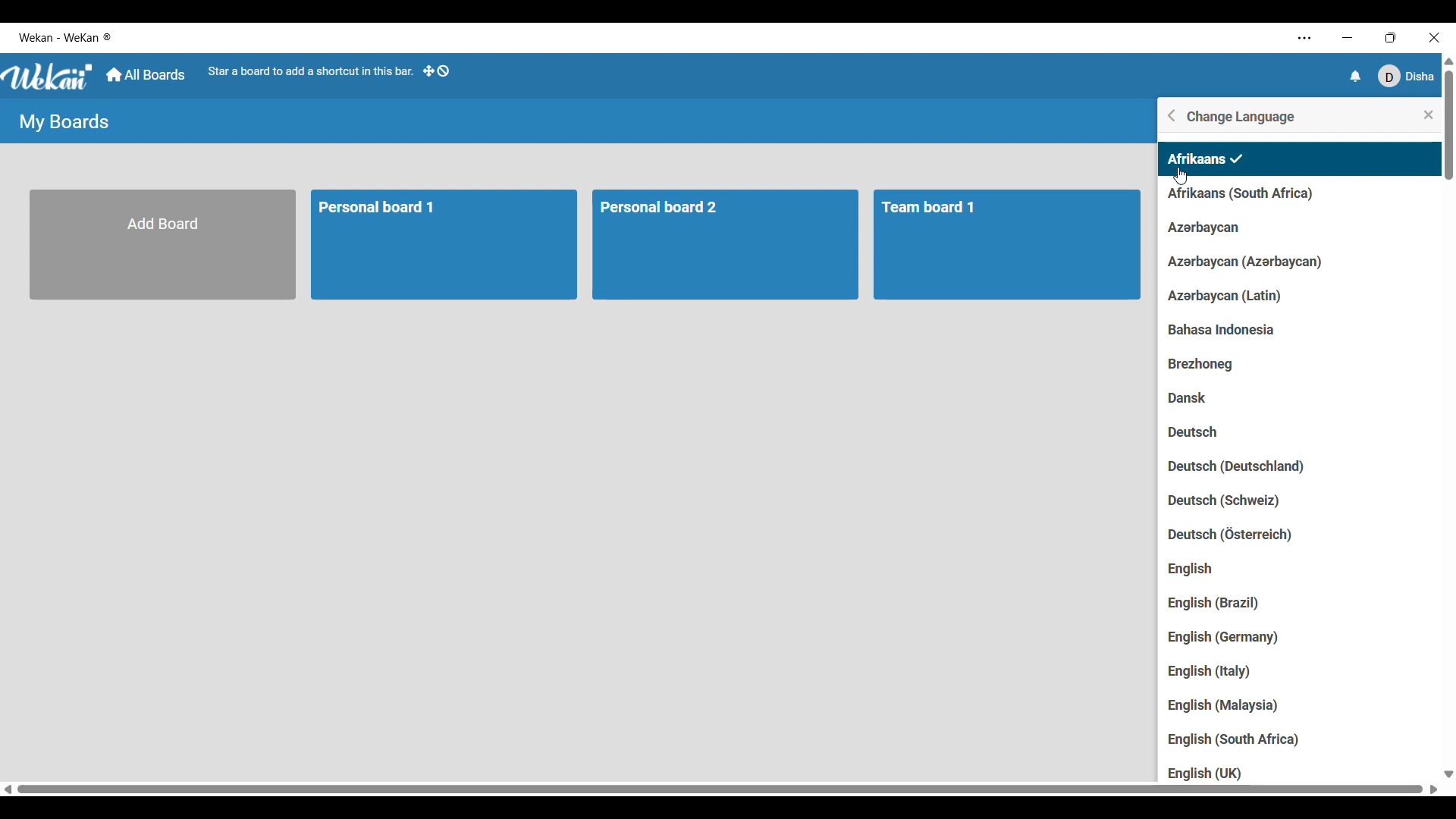  I want to click on Cursor, so click(1180, 177).